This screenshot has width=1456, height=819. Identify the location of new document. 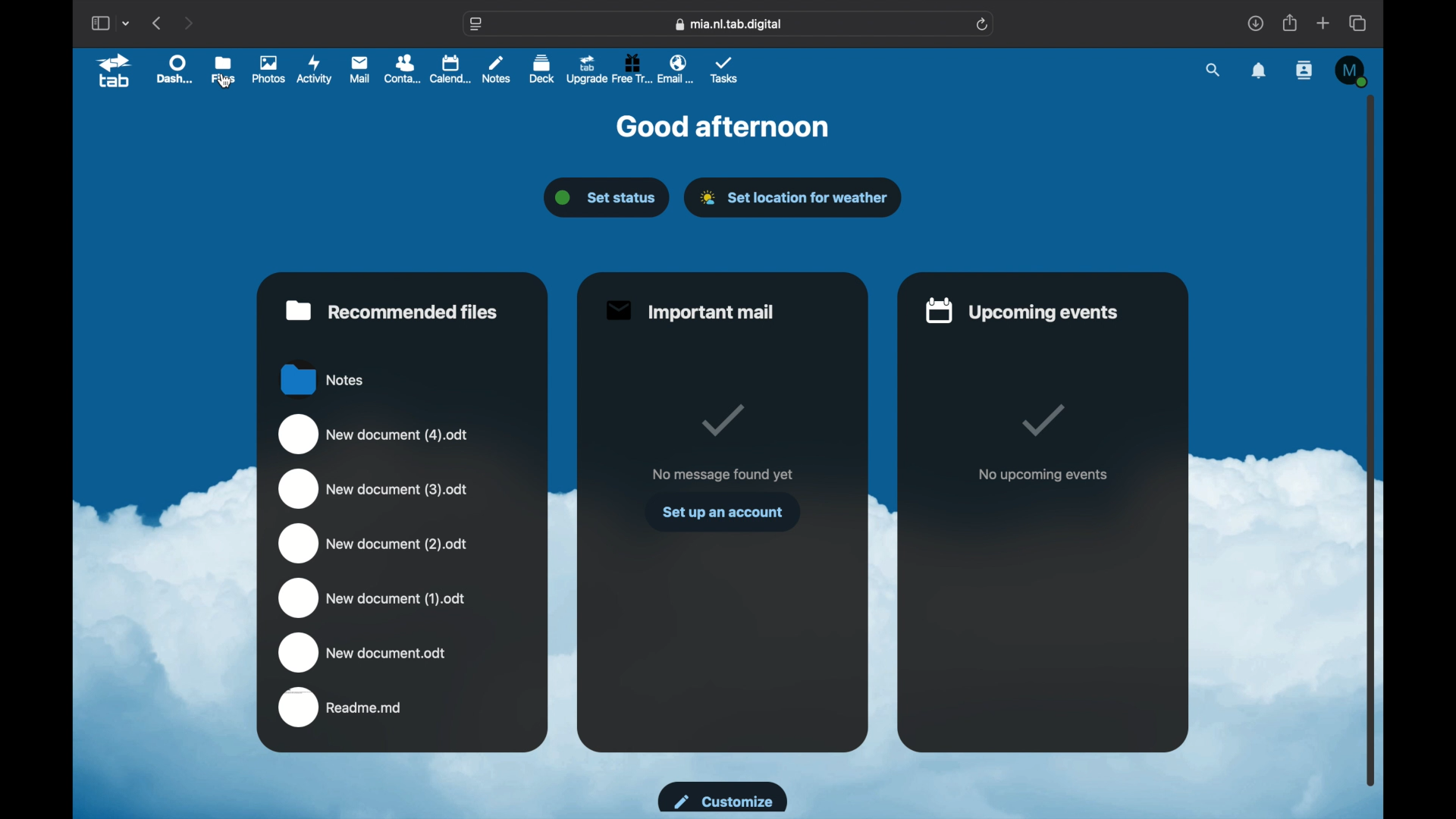
(372, 598).